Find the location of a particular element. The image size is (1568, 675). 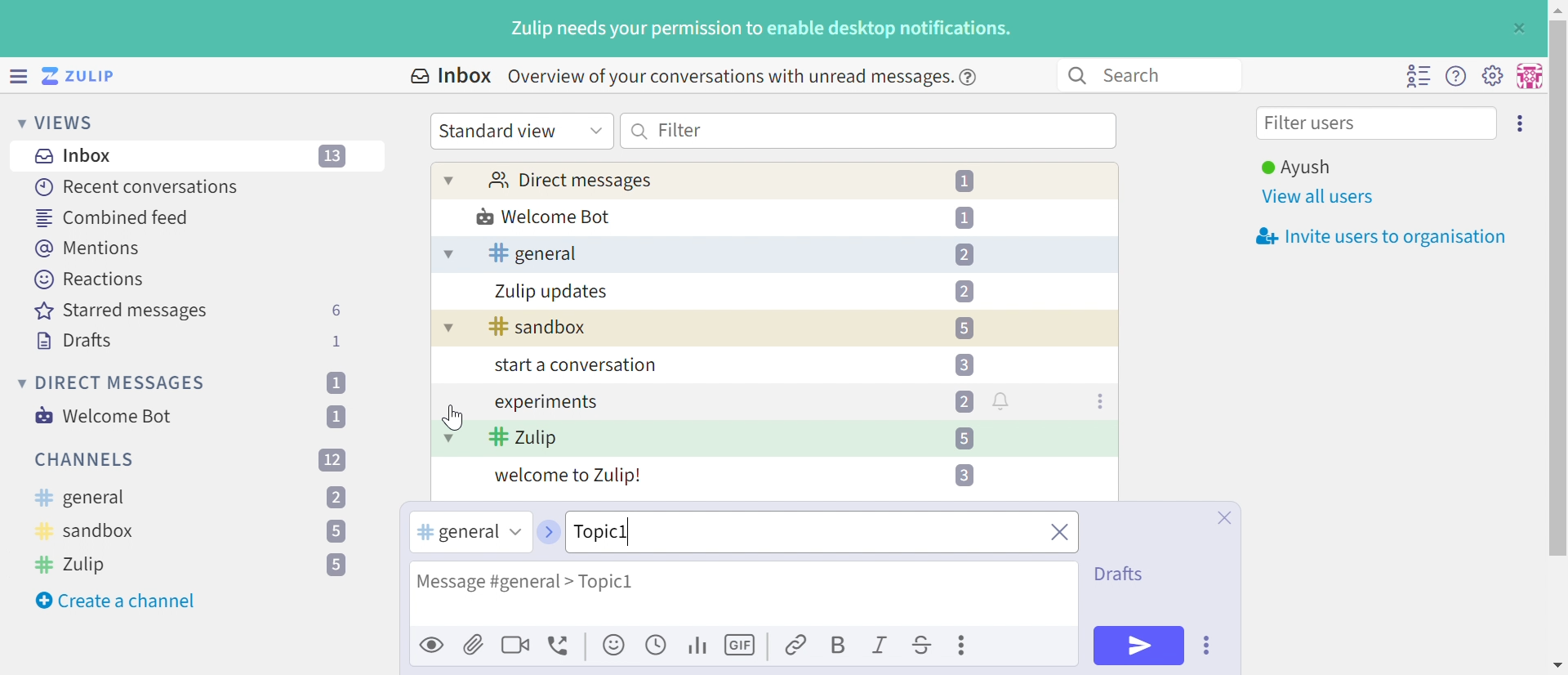

#general is located at coordinates (455, 533).